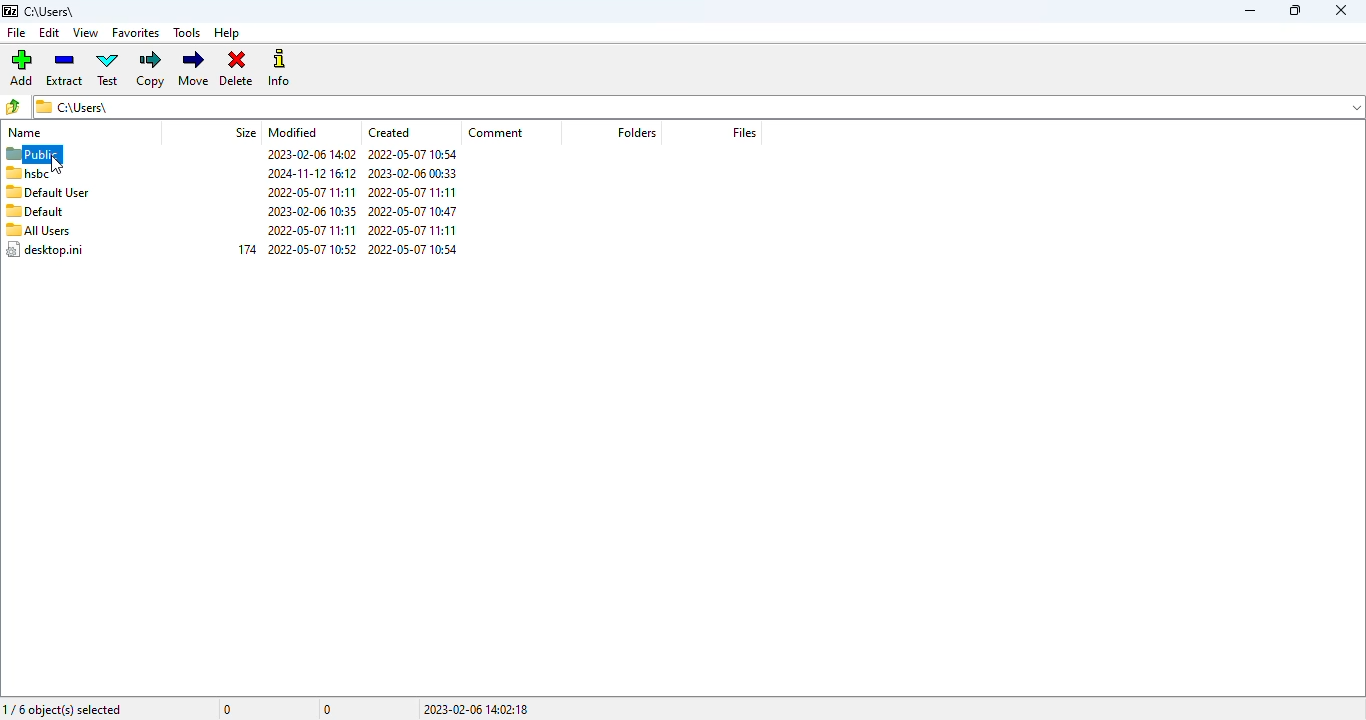 This screenshot has height=720, width=1366. Describe the element at coordinates (64, 13) in the screenshot. I see `c:\users\` at that location.